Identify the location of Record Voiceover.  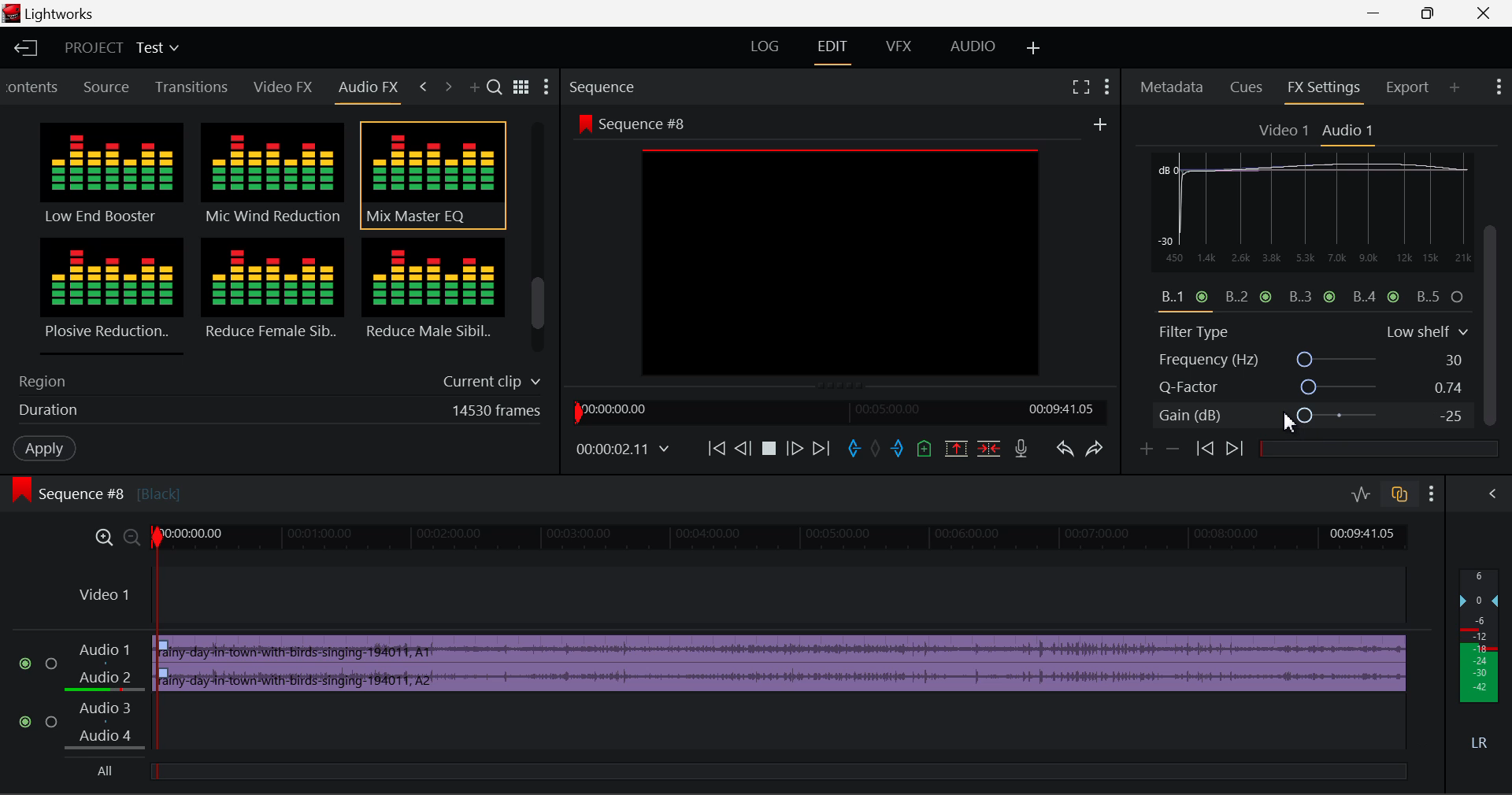
(1020, 449).